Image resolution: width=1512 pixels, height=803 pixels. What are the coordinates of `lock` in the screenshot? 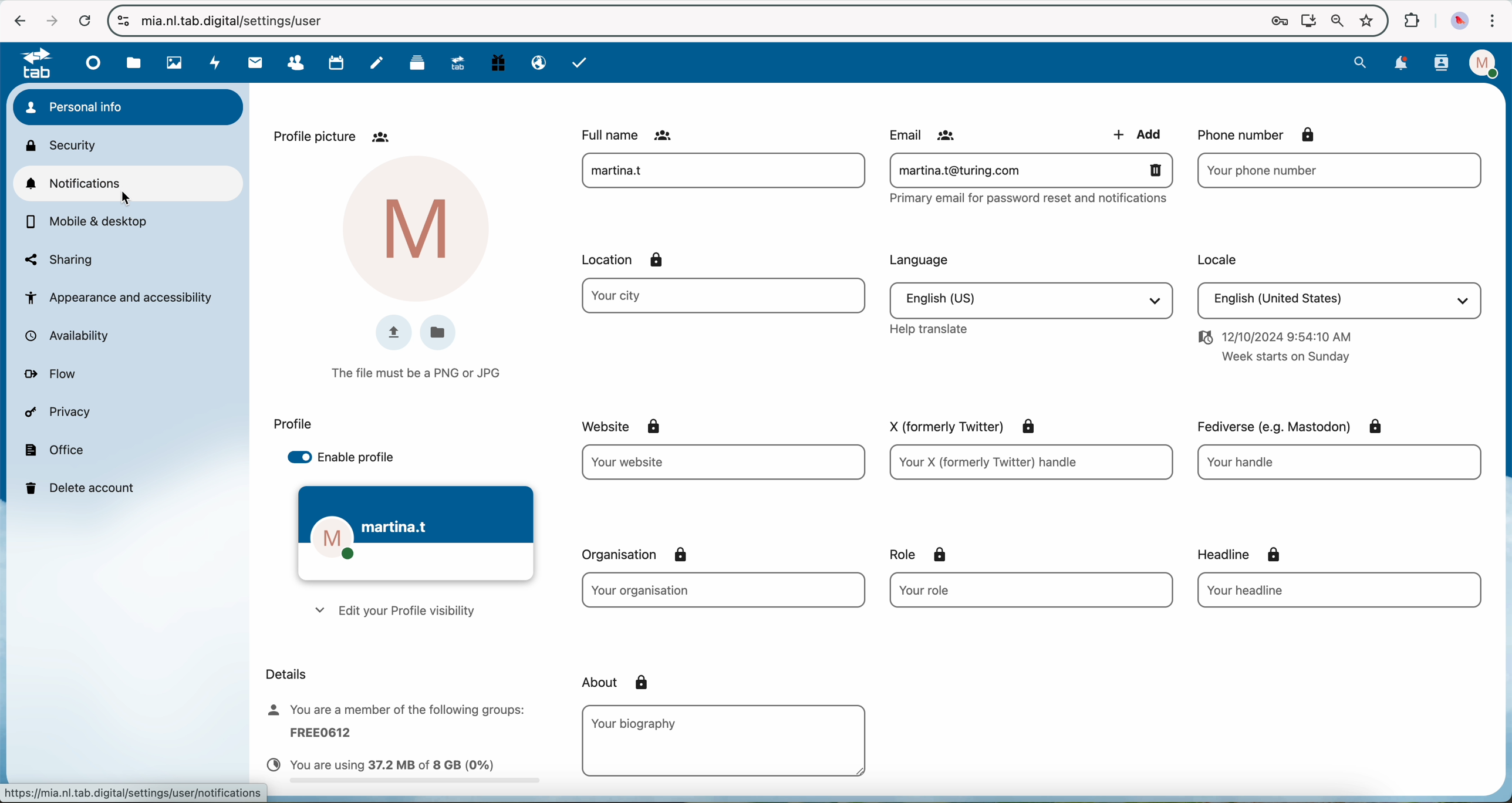 It's located at (1275, 22).